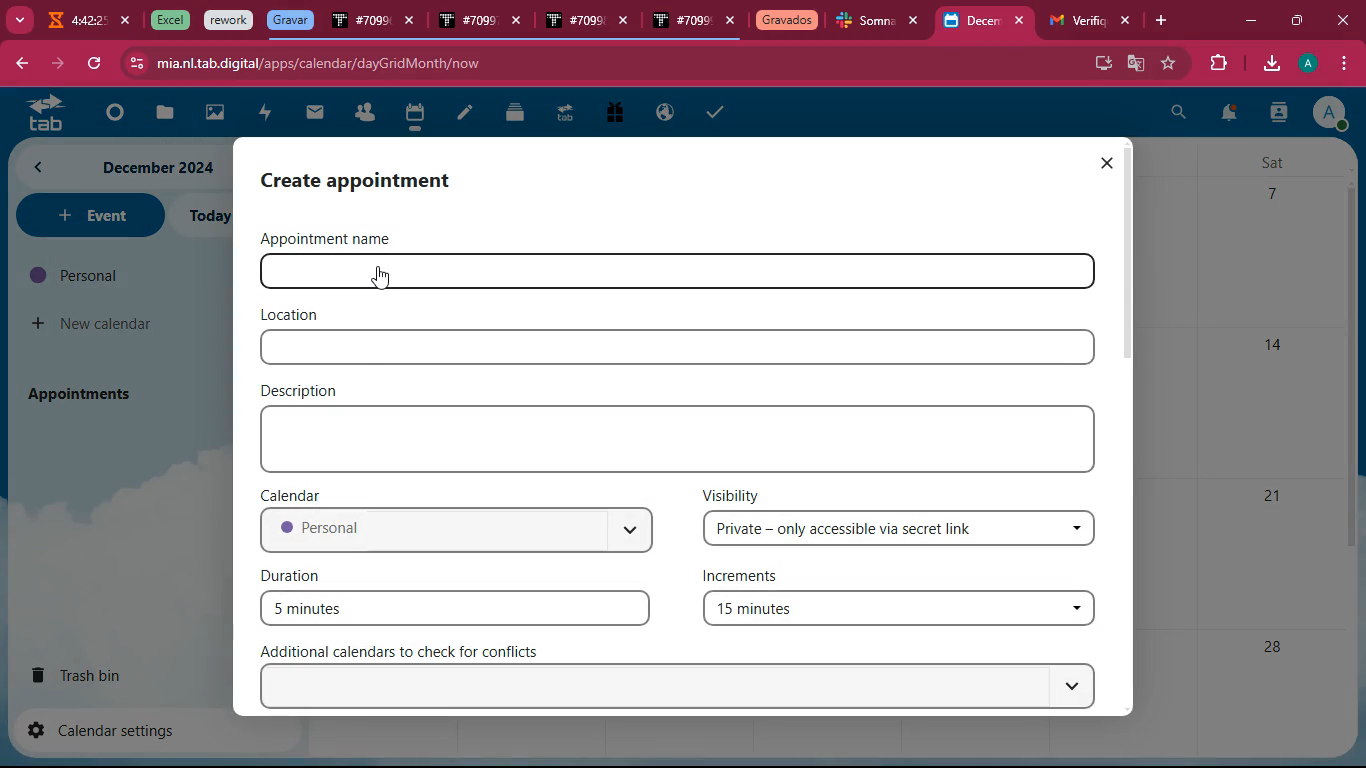 The image size is (1366, 768). What do you see at coordinates (315, 113) in the screenshot?
I see `mail` at bounding box center [315, 113].